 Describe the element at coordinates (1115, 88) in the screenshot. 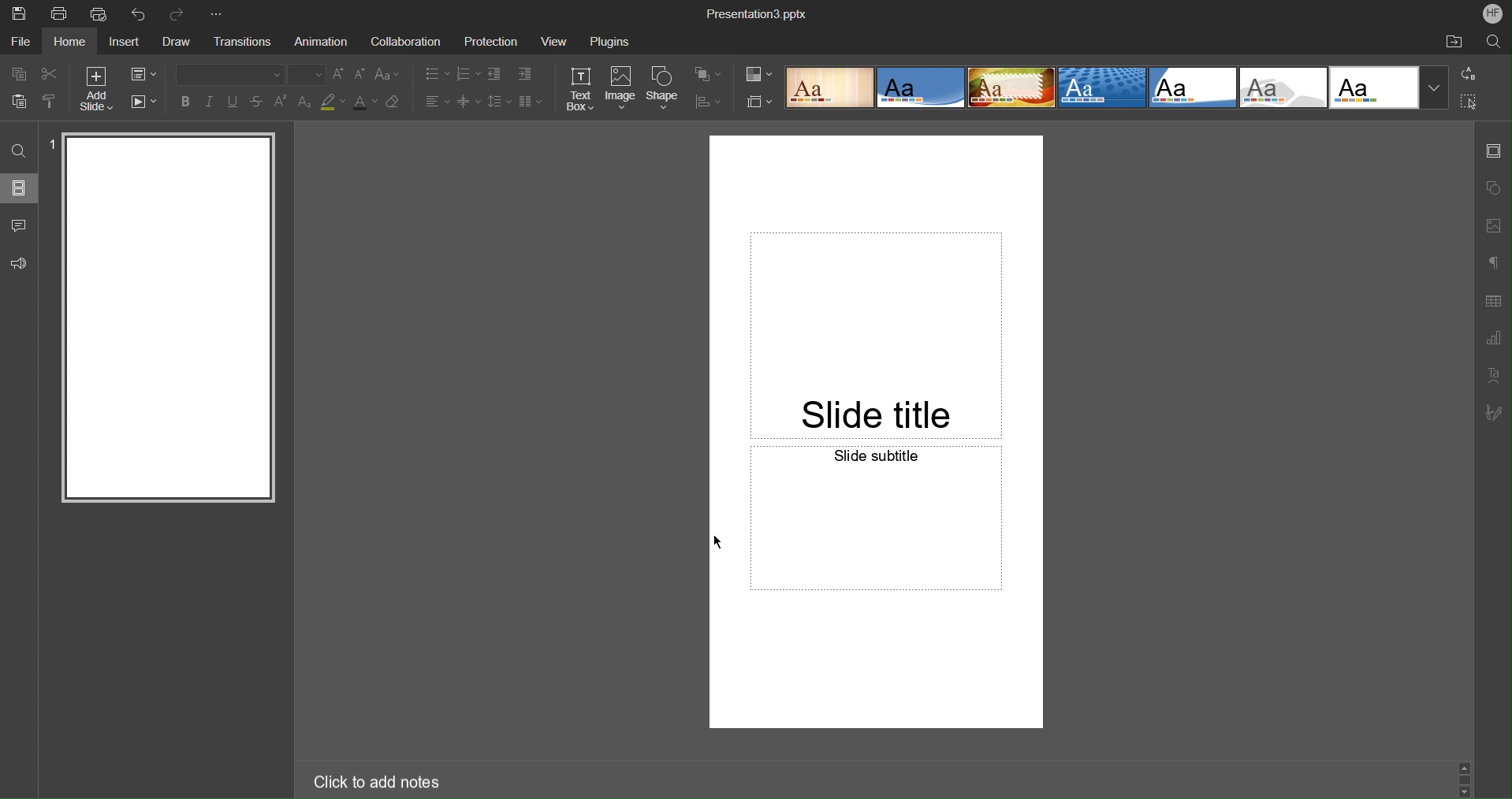

I see `Slide Templates` at that location.